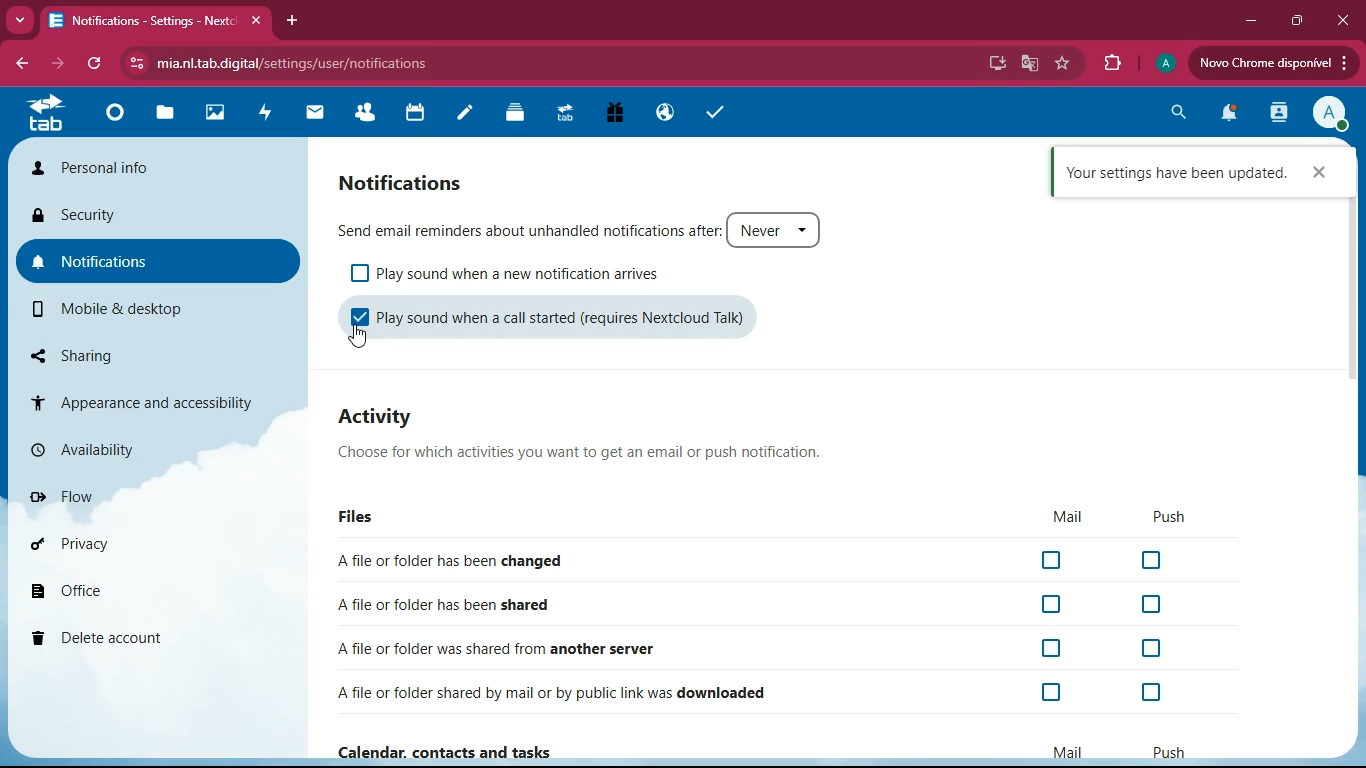 The image size is (1366, 768). What do you see at coordinates (666, 114) in the screenshot?
I see `public` at bounding box center [666, 114].